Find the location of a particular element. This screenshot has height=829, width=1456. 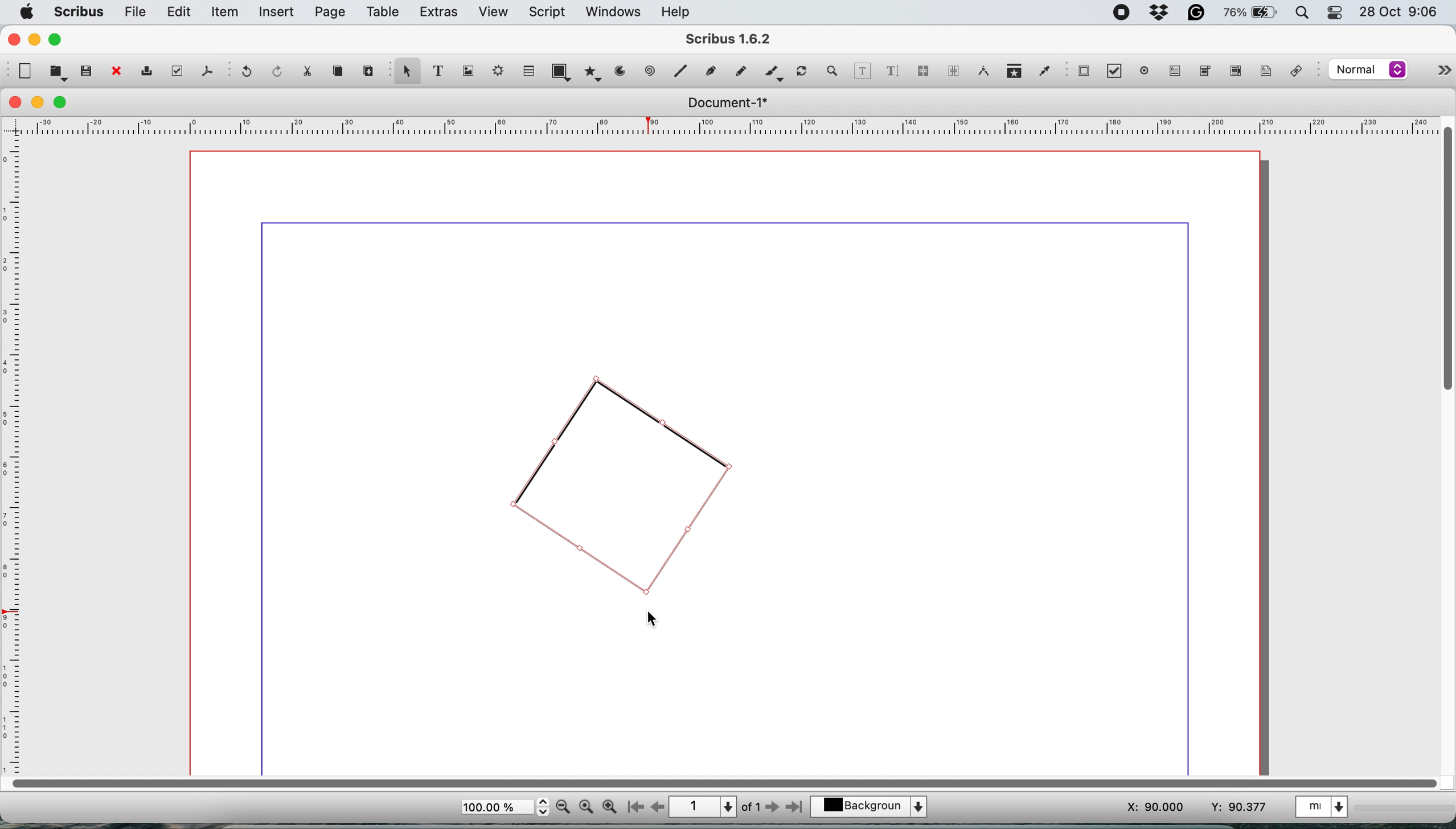

screen recorder is located at coordinates (1119, 11).